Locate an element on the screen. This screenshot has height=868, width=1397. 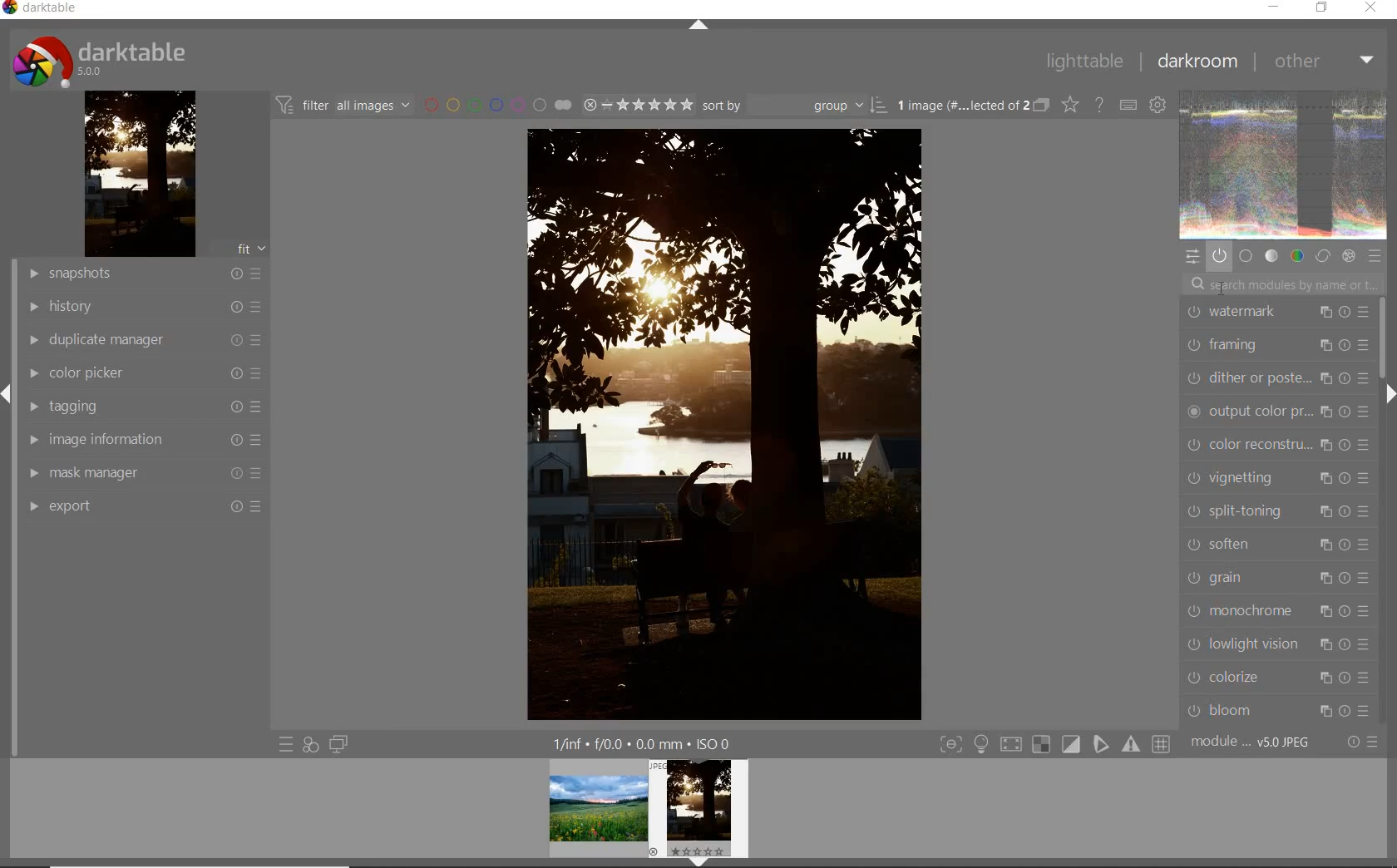
darkroom is located at coordinates (1196, 62).